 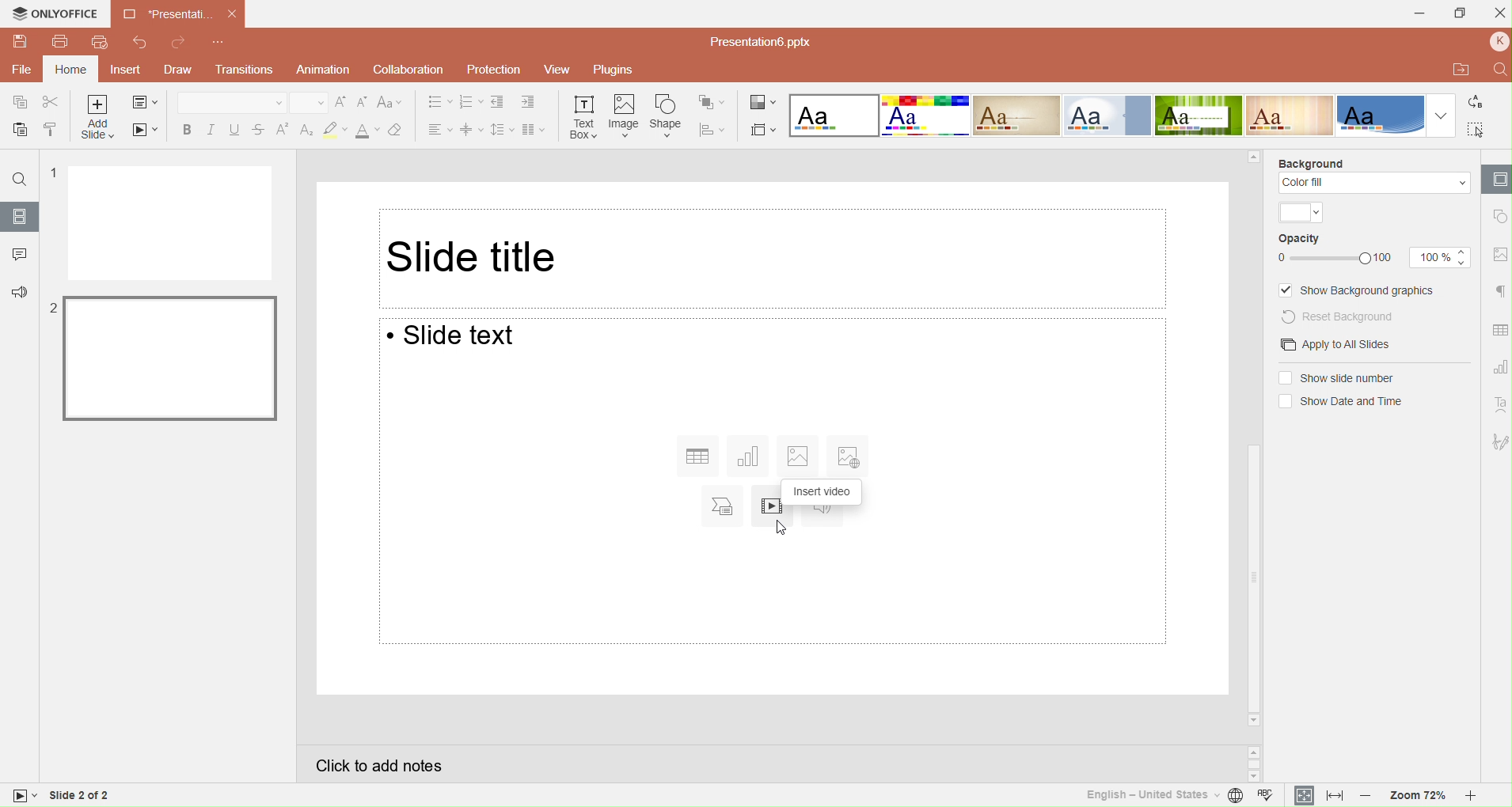 I want to click on Insert audio, so click(x=825, y=493).